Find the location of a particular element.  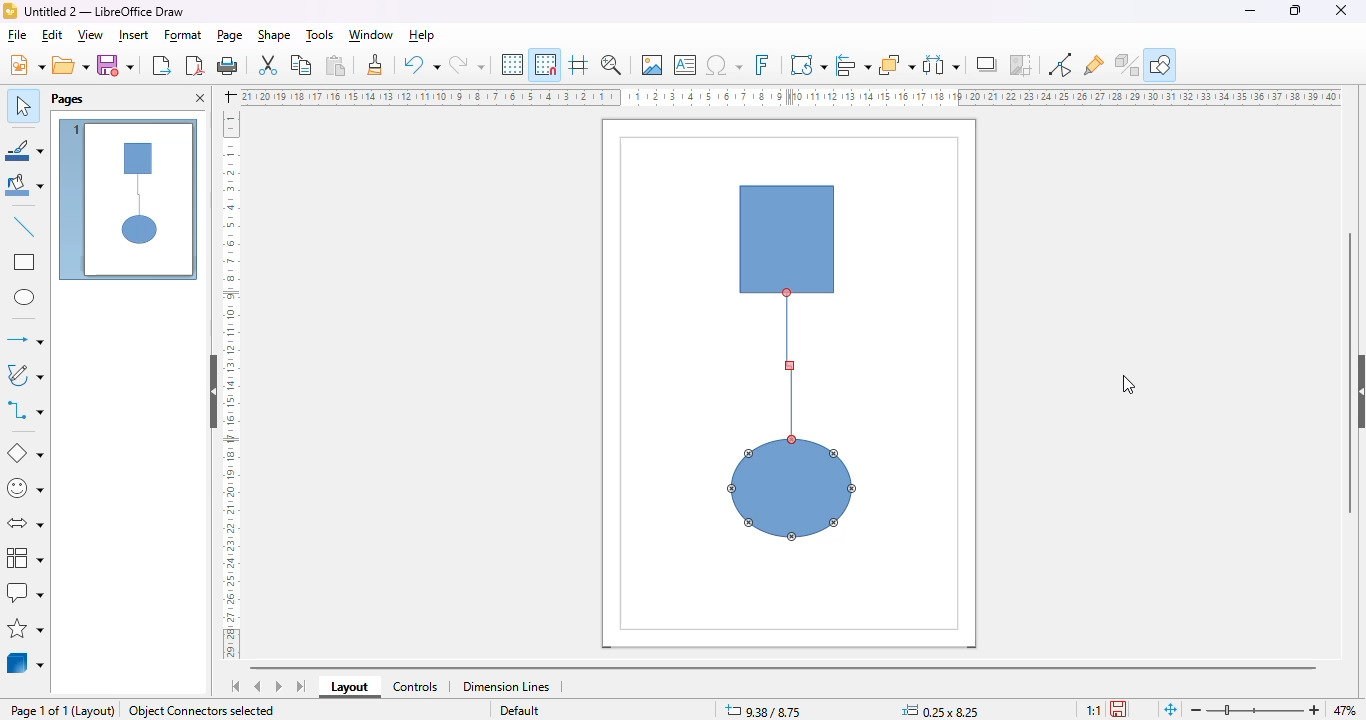

shape 1 is located at coordinates (789, 230).